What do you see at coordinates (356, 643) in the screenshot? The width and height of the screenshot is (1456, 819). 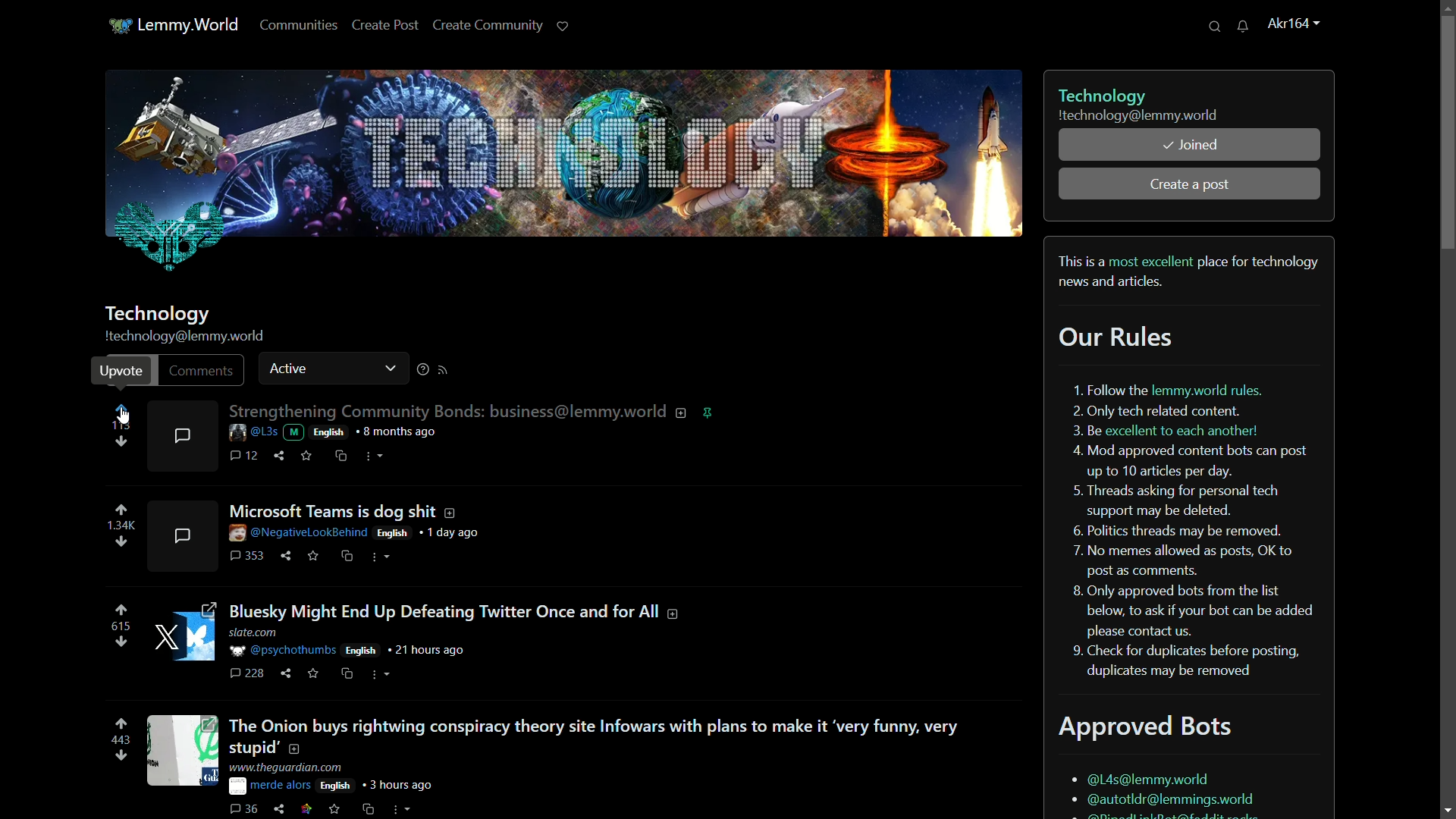 I see `post details` at bounding box center [356, 643].